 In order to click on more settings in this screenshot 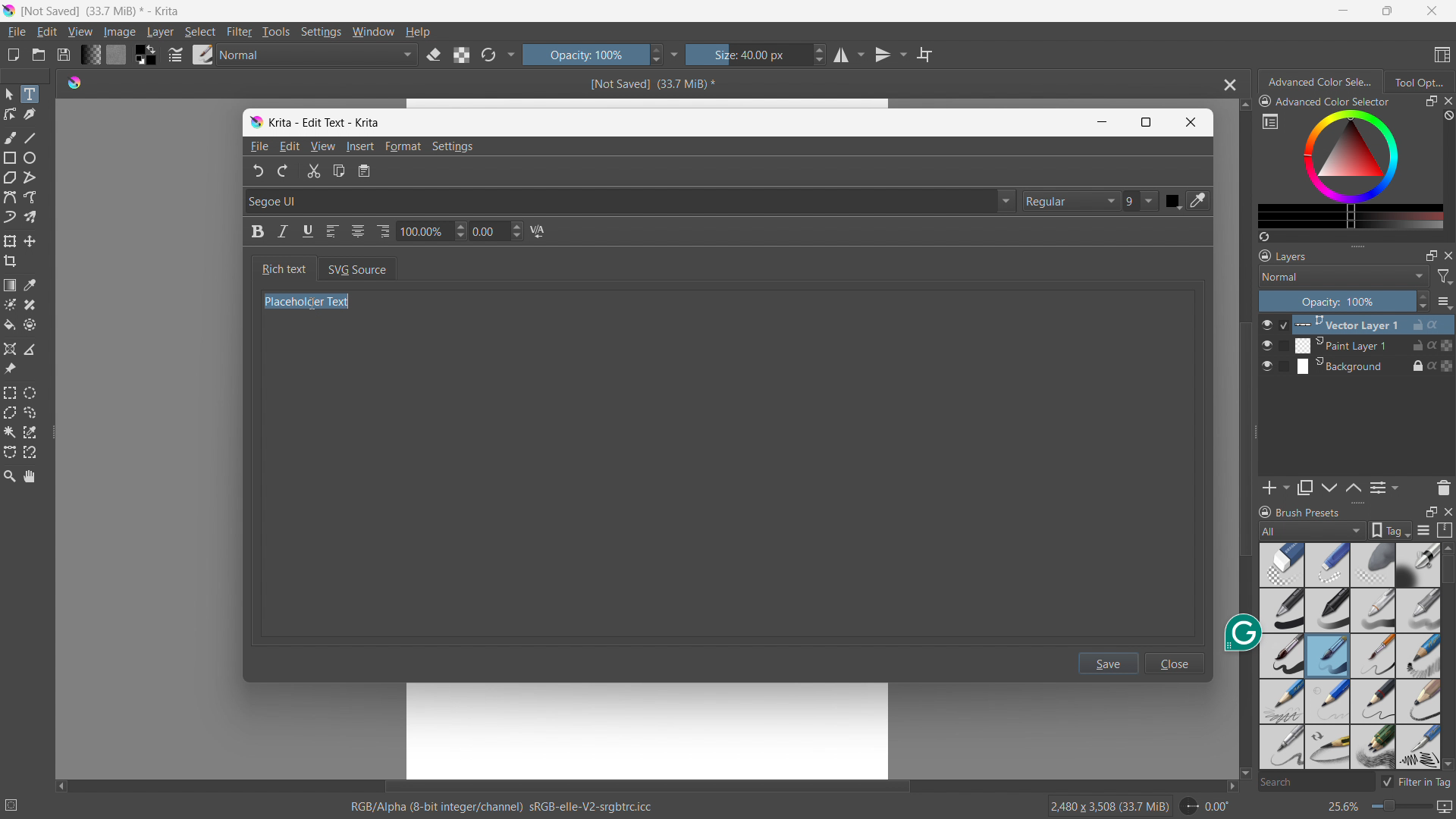, I will do `click(675, 54)`.